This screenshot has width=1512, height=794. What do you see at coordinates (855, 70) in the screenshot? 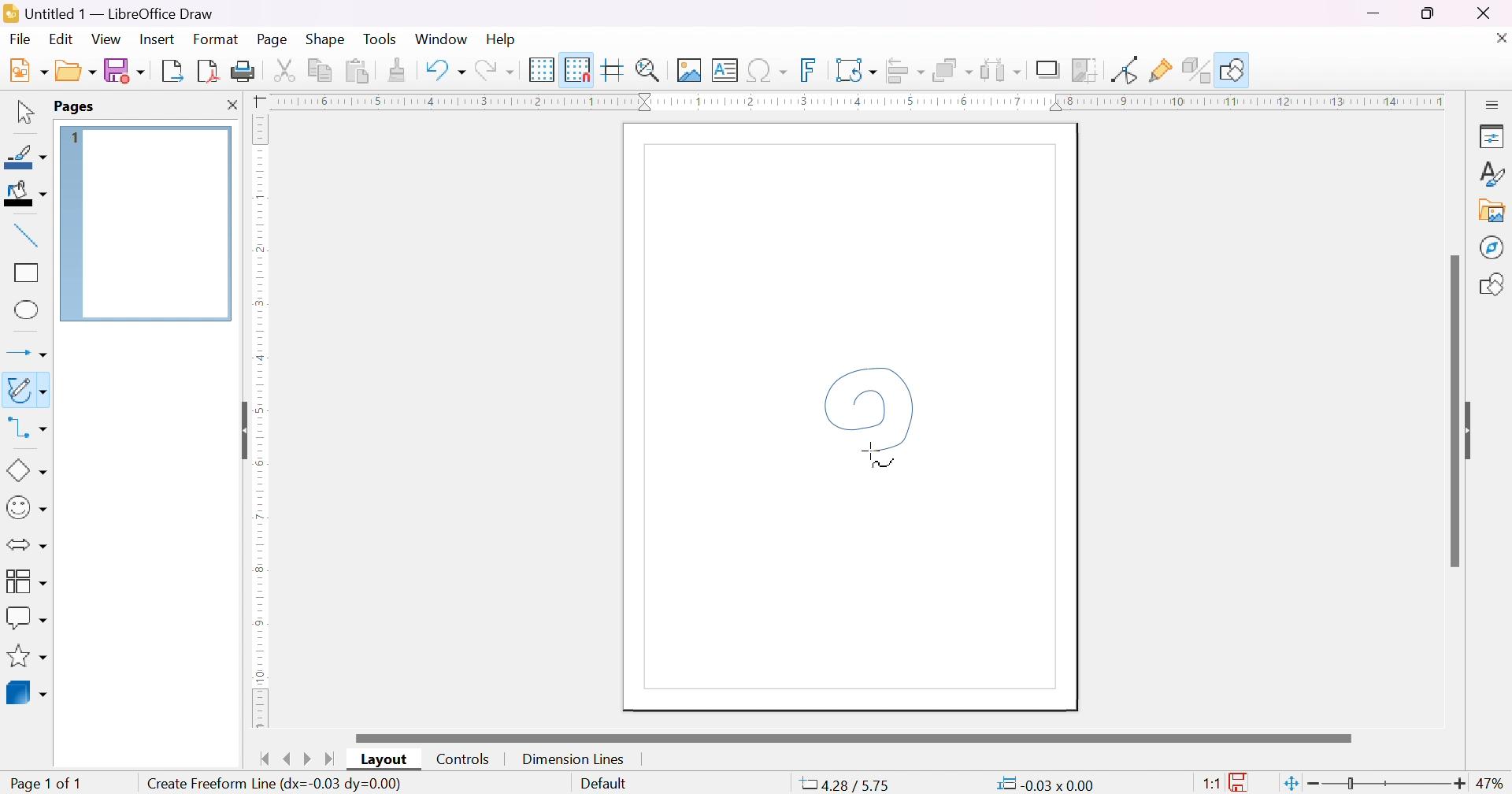
I see `transformation` at bounding box center [855, 70].